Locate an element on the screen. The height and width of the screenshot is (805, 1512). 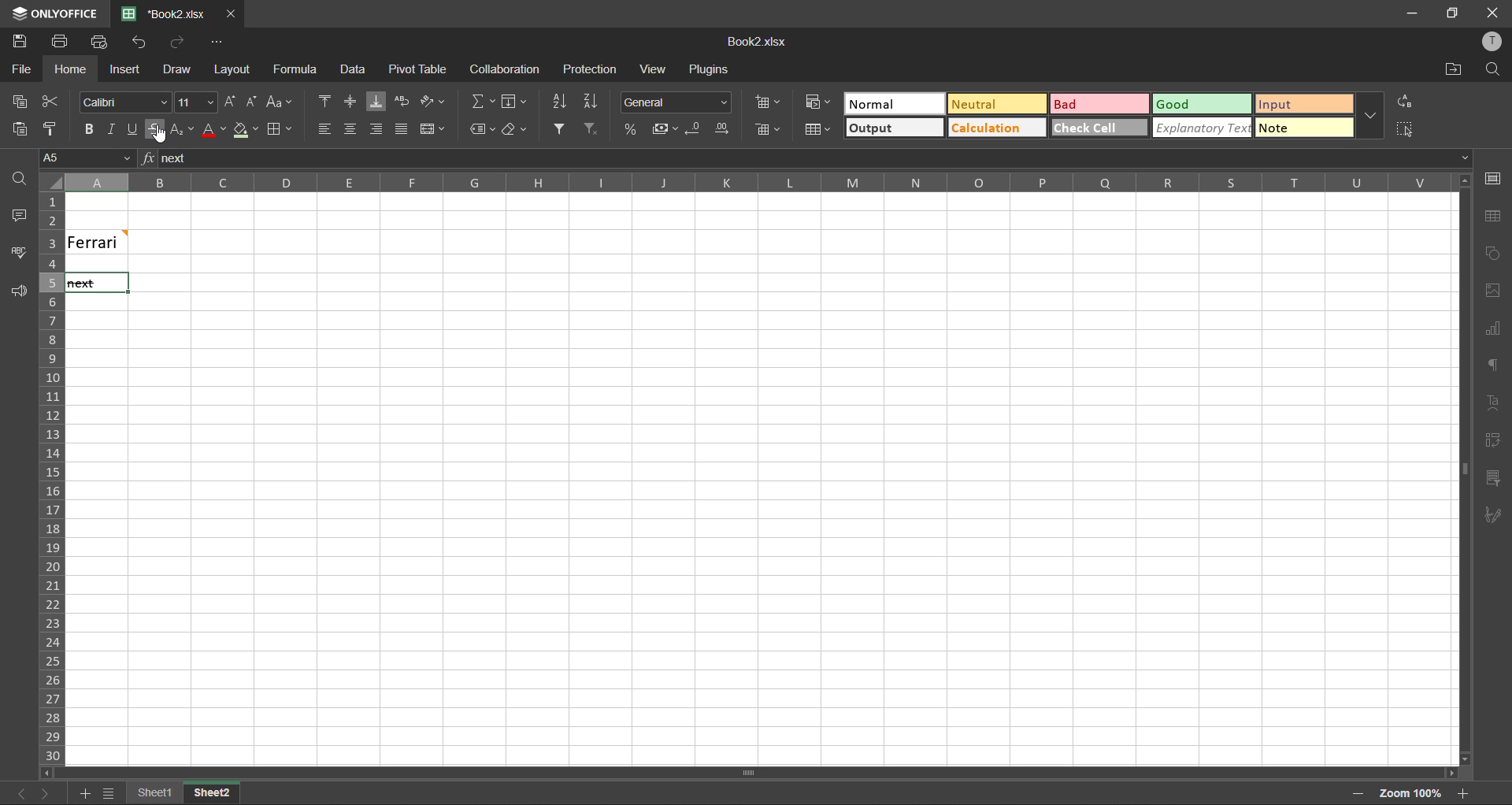
replace is located at coordinates (1410, 101).